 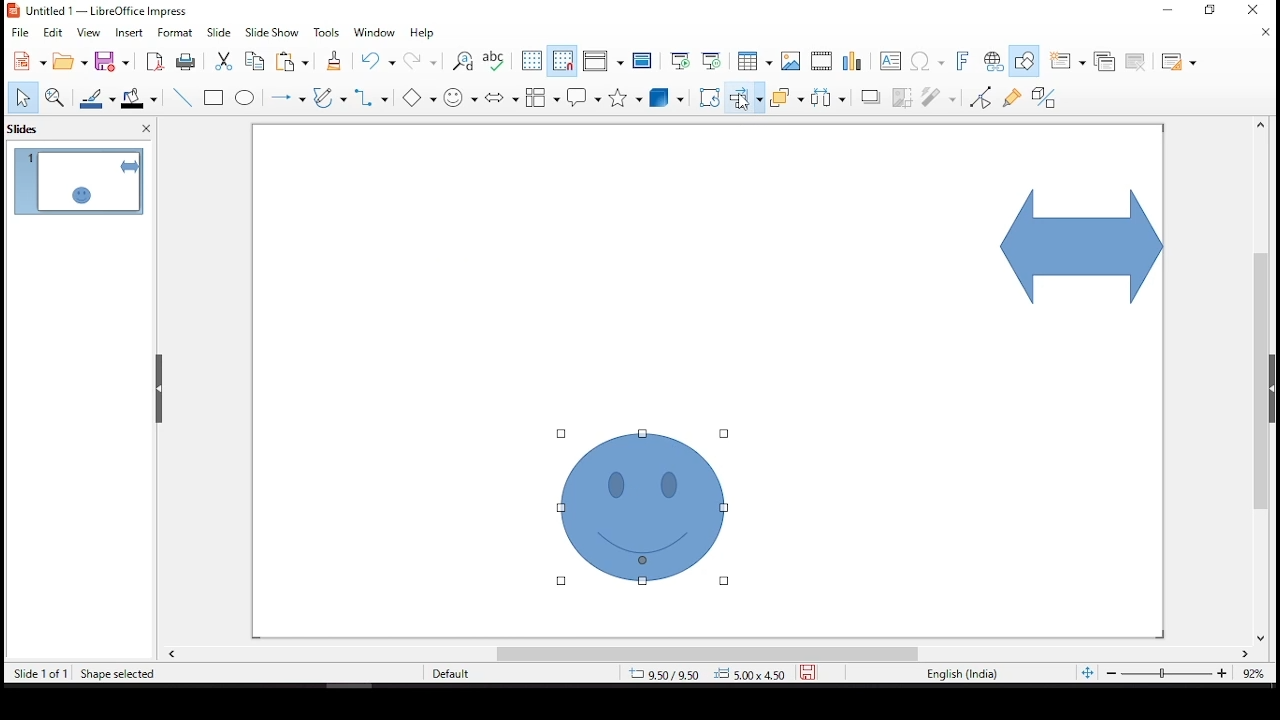 What do you see at coordinates (377, 33) in the screenshot?
I see `window` at bounding box center [377, 33].